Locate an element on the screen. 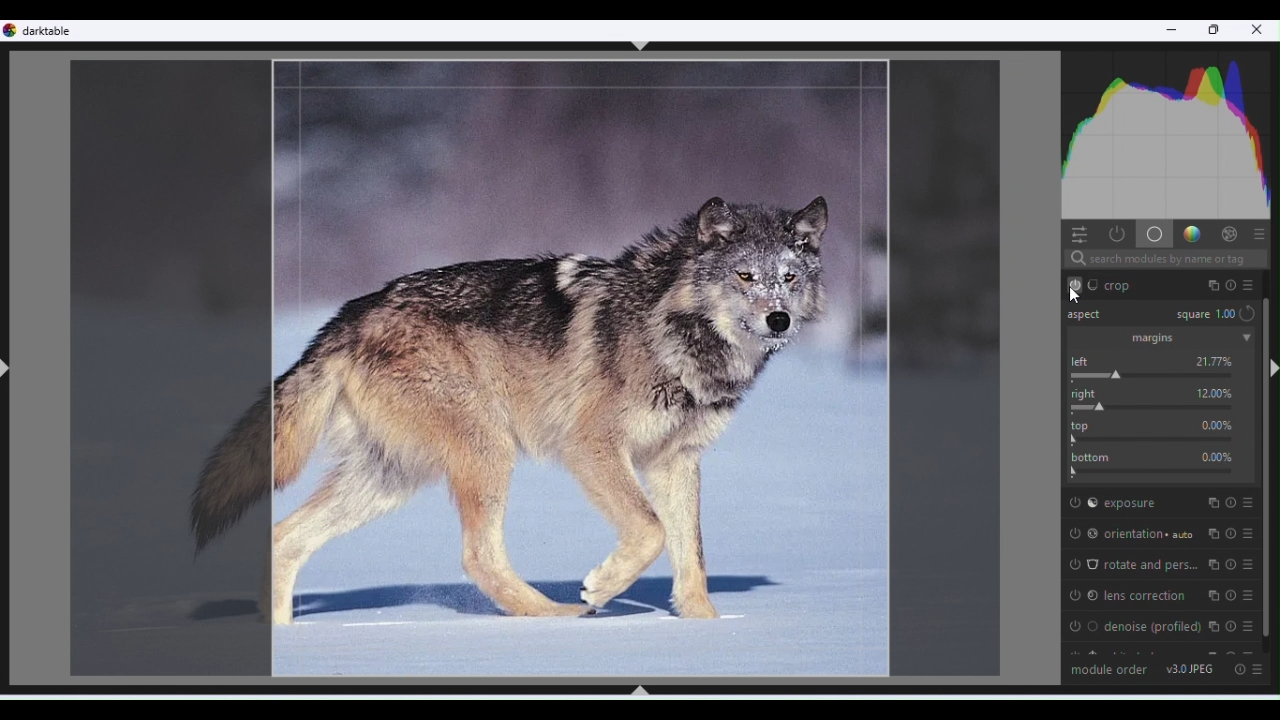  Reset is located at coordinates (1238, 668).